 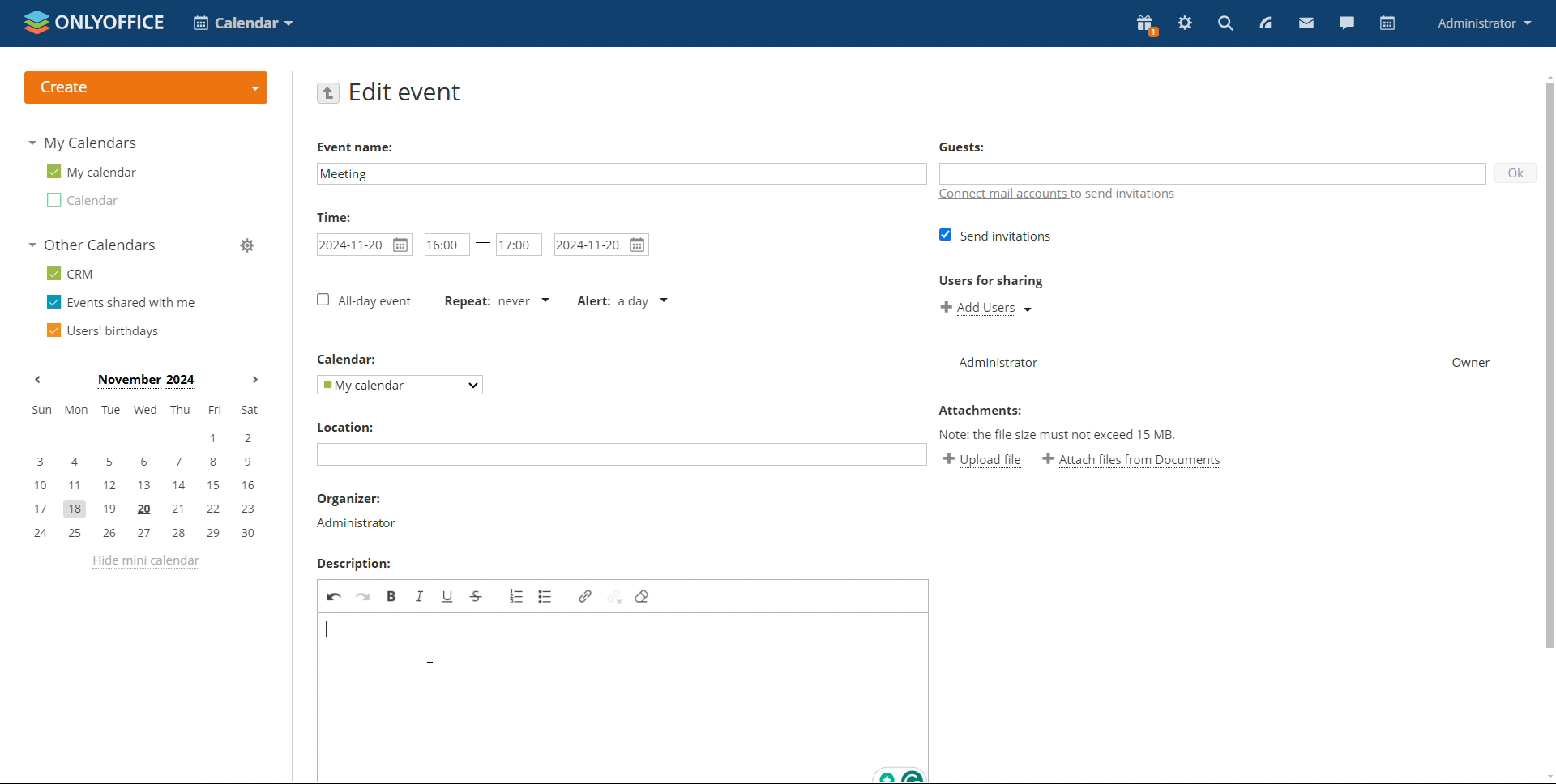 What do you see at coordinates (69, 274) in the screenshot?
I see `crm` at bounding box center [69, 274].